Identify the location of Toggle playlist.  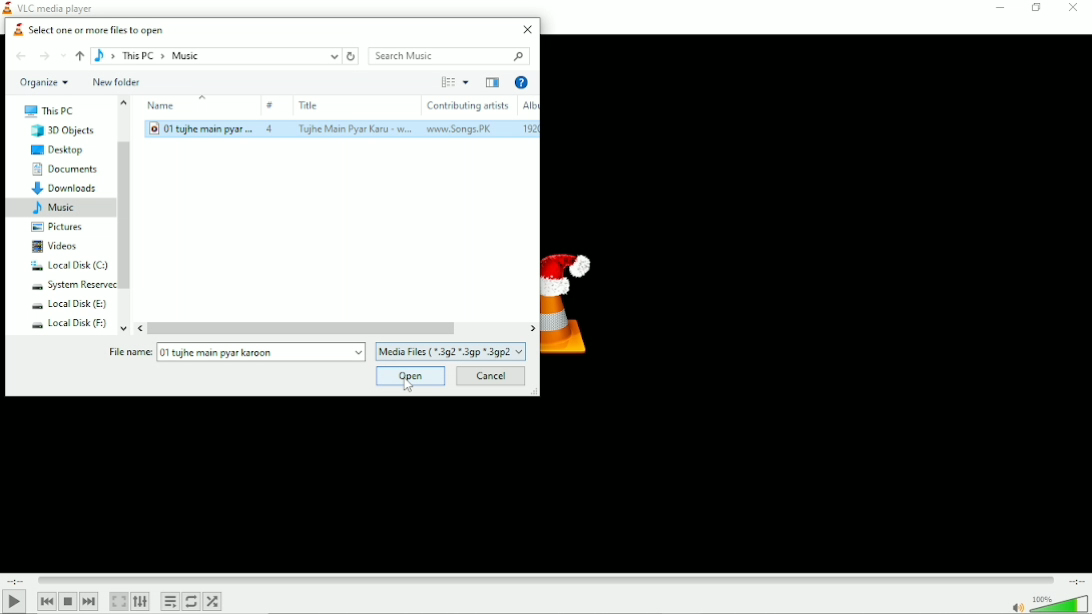
(169, 601).